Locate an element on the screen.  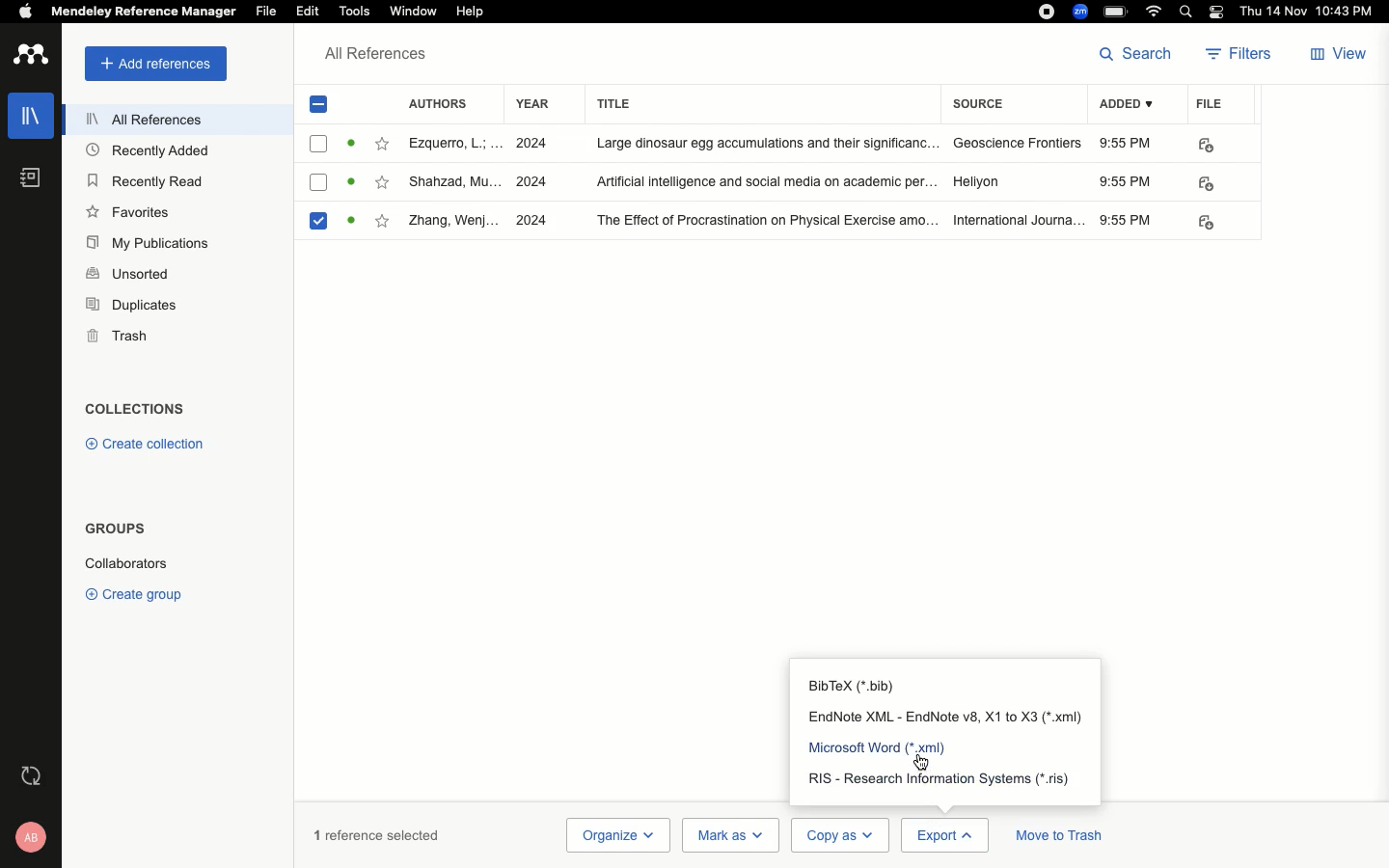
Logo is located at coordinates (31, 56).